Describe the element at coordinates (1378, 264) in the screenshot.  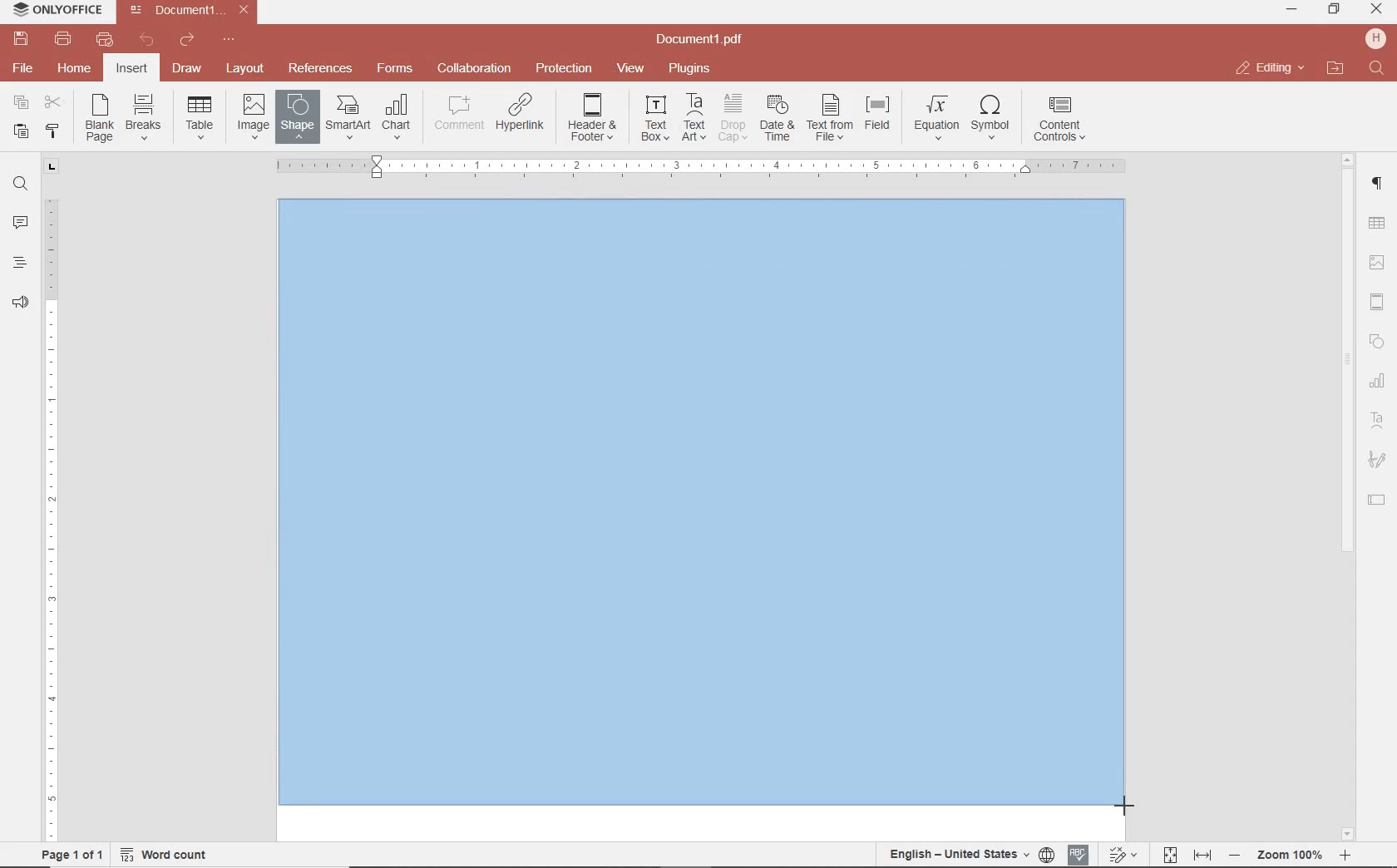
I see `IMAGE` at that location.